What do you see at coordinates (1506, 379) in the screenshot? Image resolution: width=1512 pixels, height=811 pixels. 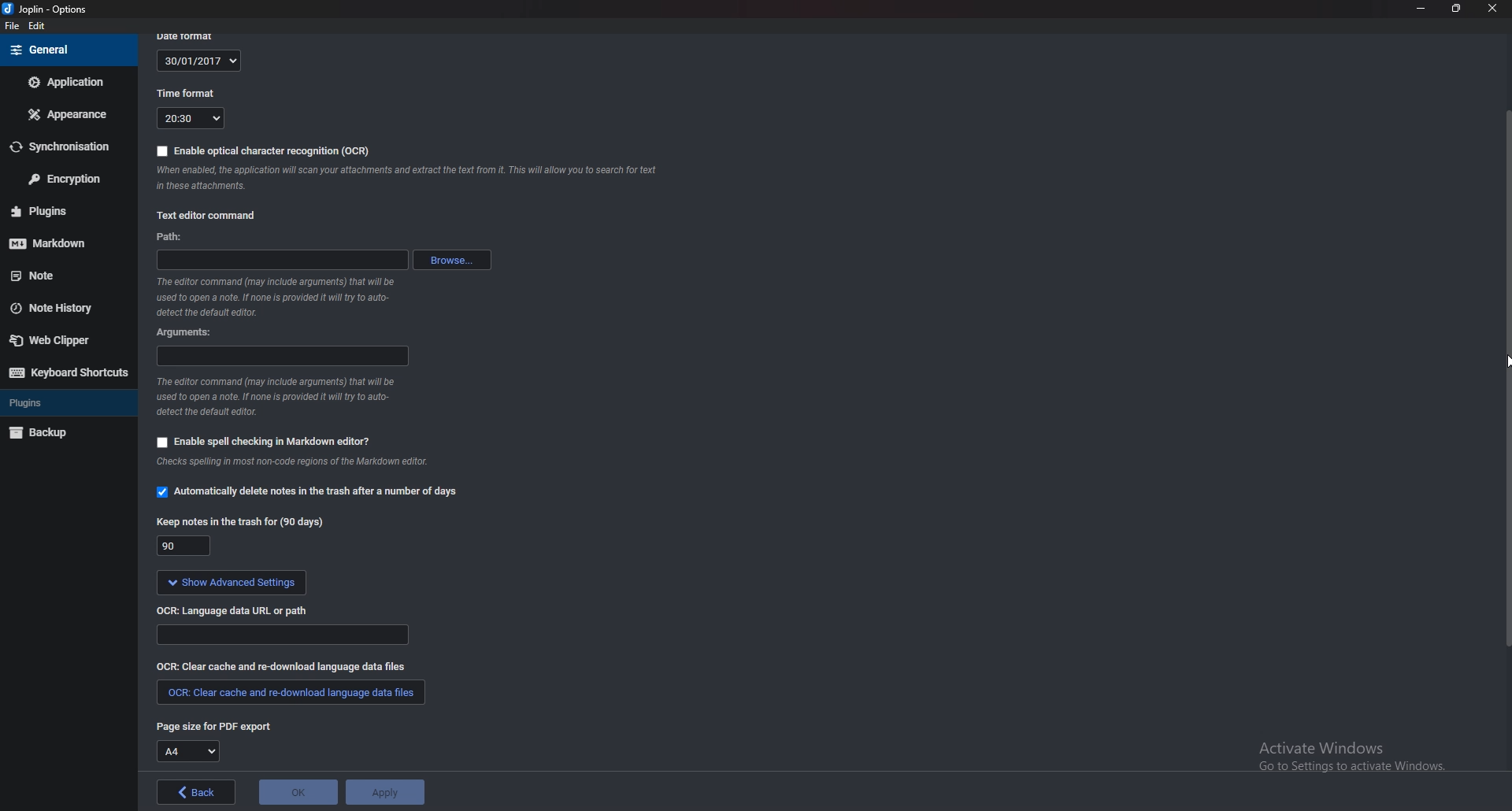 I see `Scroll bar` at bounding box center [1506, 379].